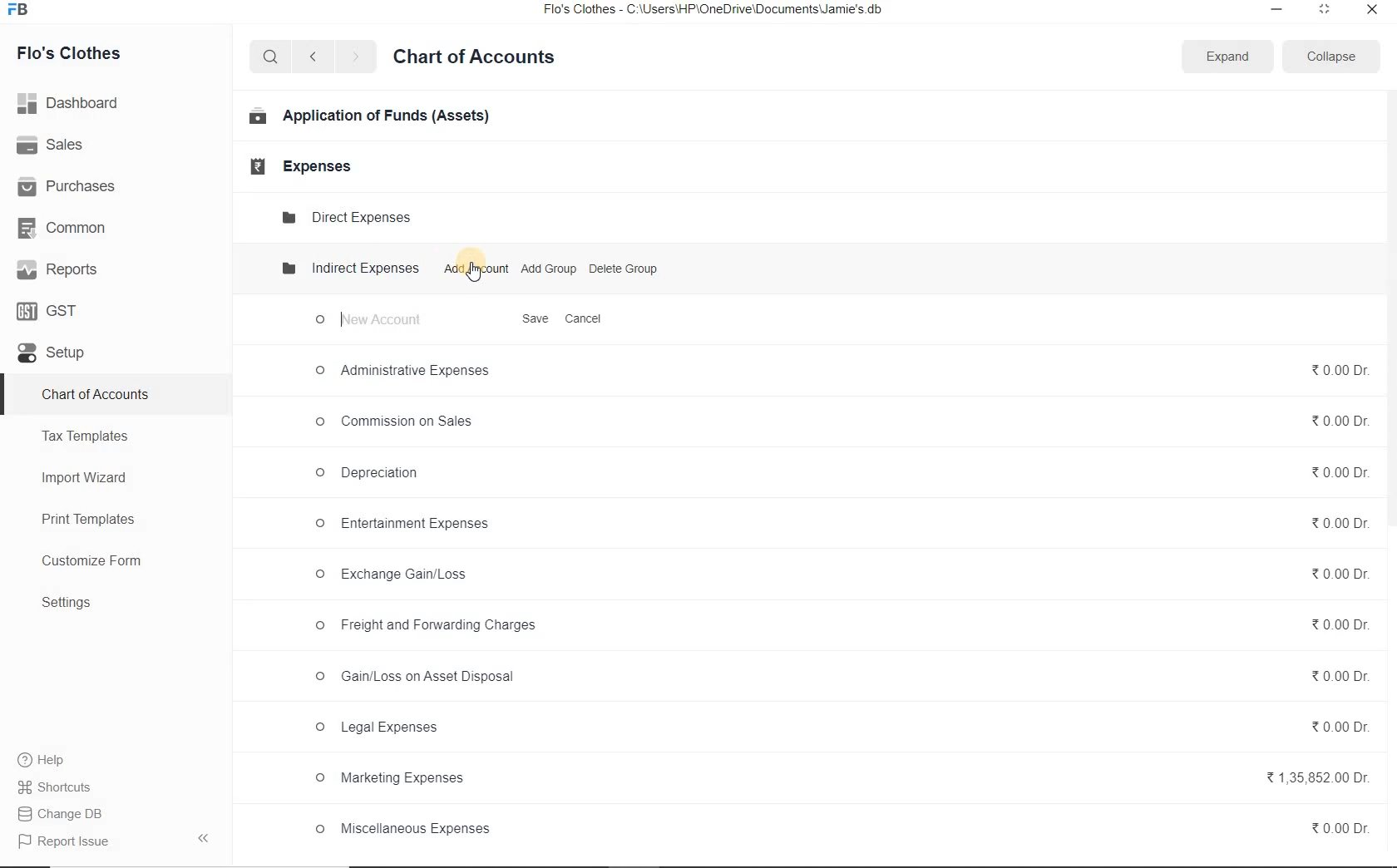 The height and width of the screenshot is (868, 1397). Describe the element at coordinates (57, 269) in the screenshot. I see `Reports` at that location.